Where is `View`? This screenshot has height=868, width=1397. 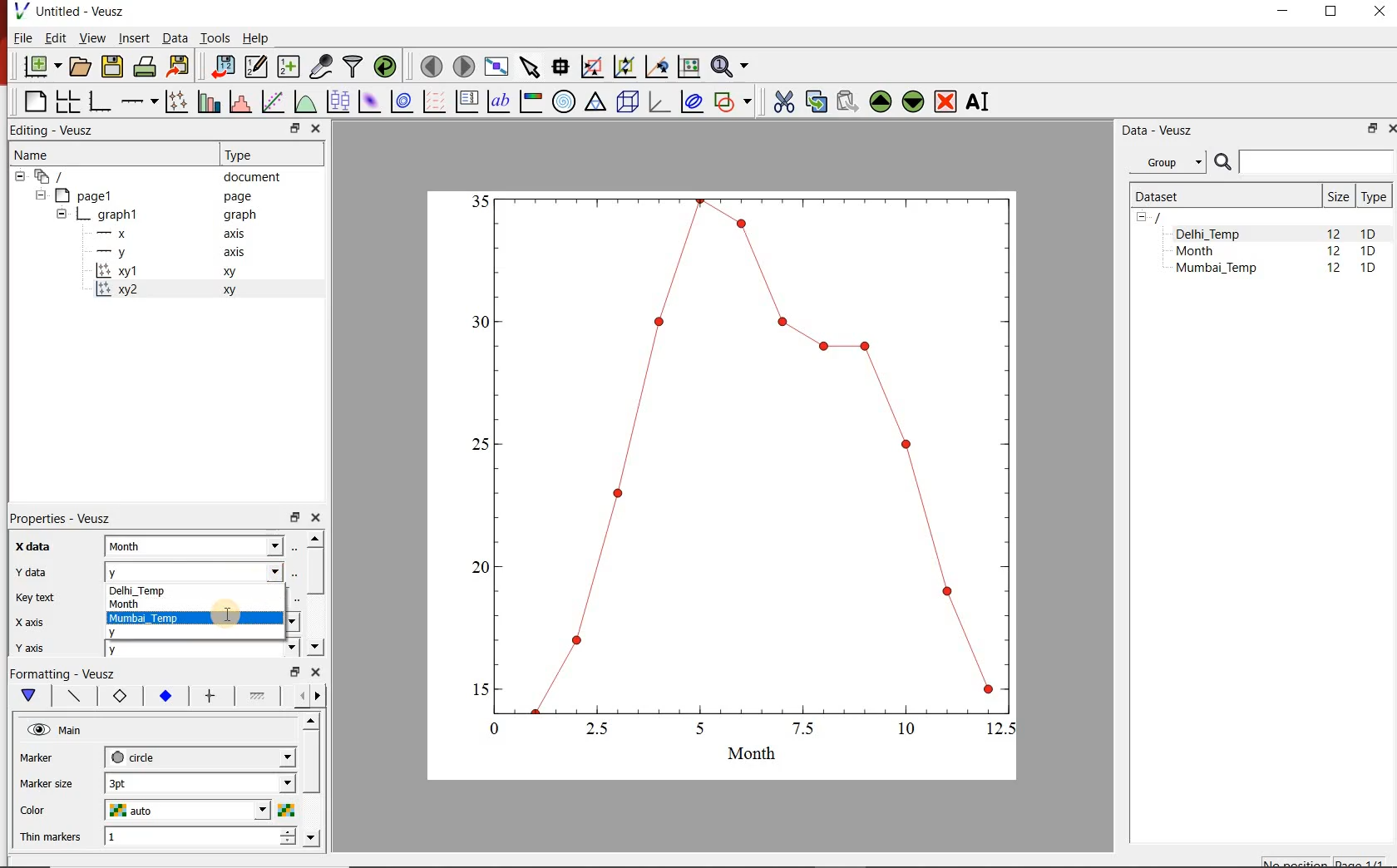
View is located at coordinates (91, 37).